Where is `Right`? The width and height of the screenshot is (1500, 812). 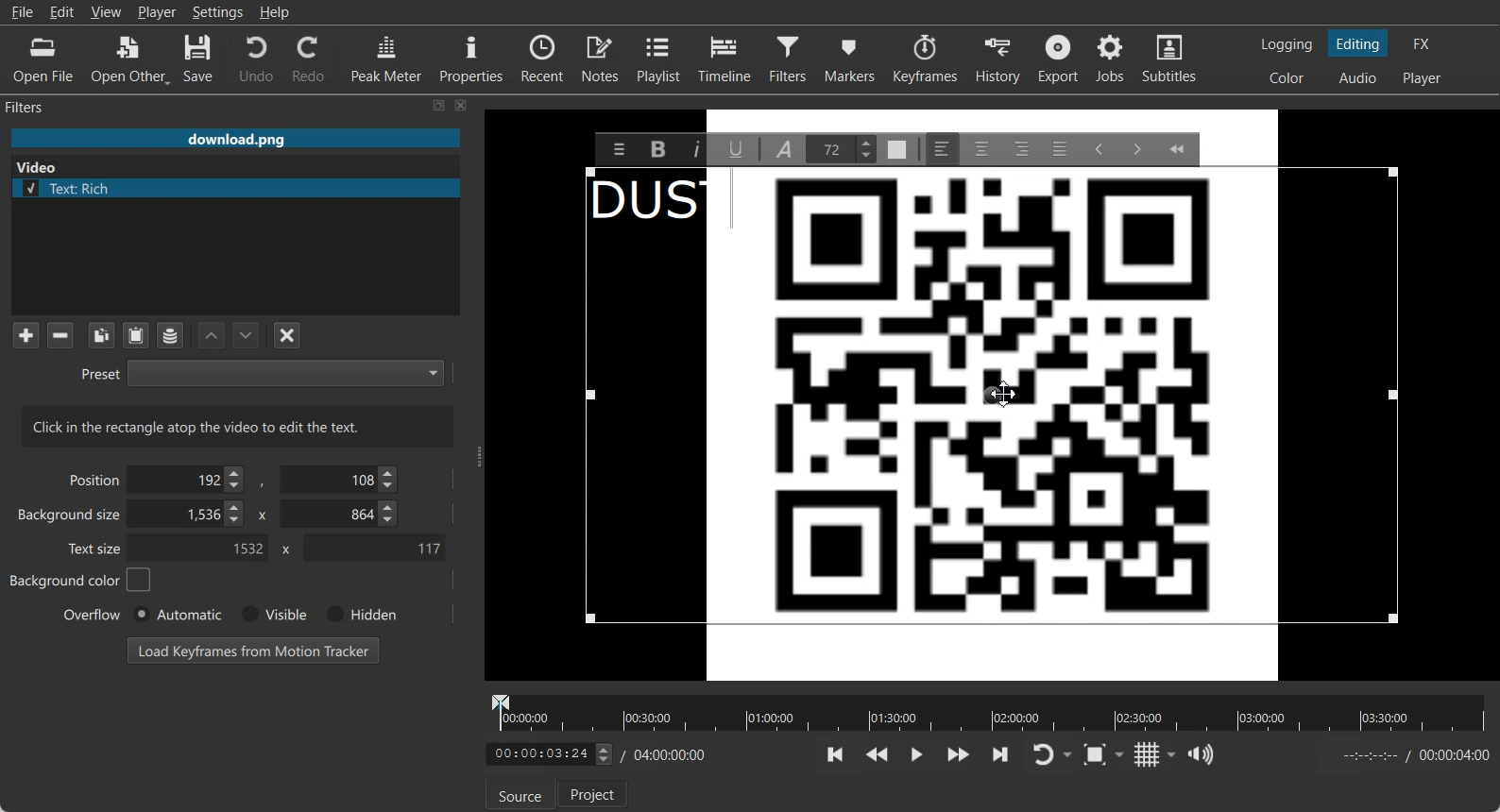 Right is located at coordinates (1021, 148).